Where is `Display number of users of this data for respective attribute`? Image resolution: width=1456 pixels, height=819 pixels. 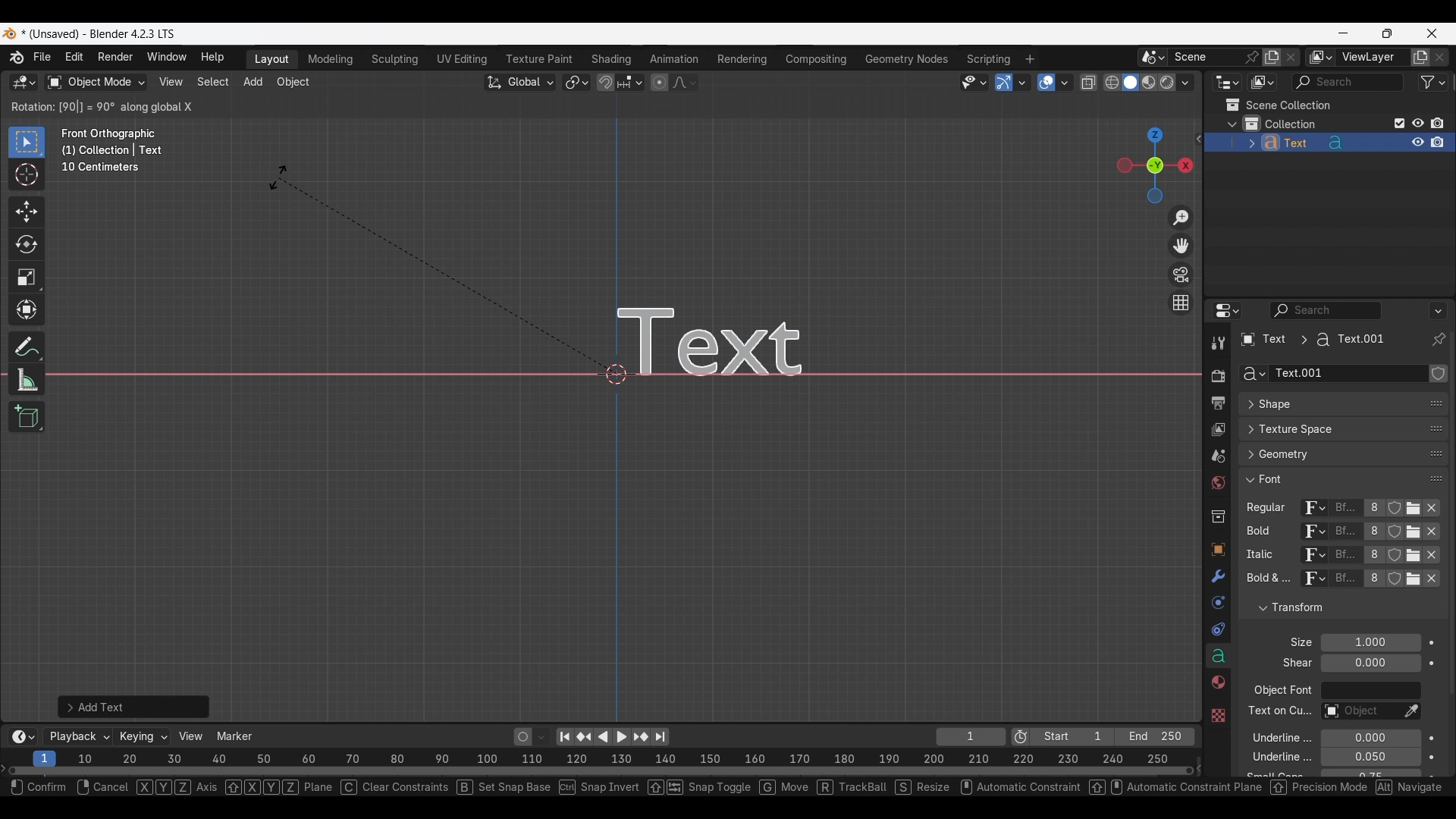 Display number of users of this data for respective attribute is located at coordinates (1374, 544).